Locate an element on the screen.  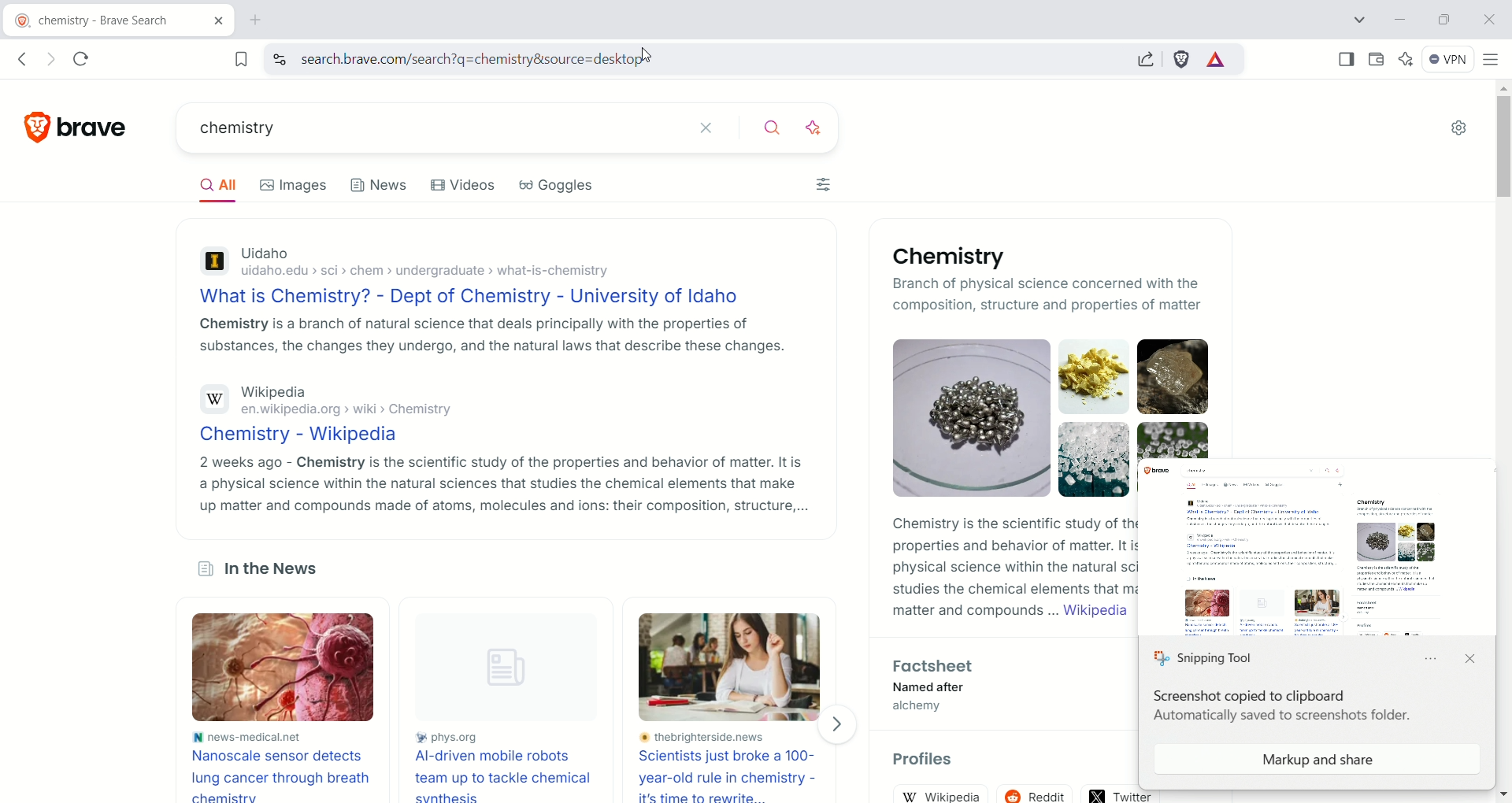
filters is located at coordinates (825, 187).